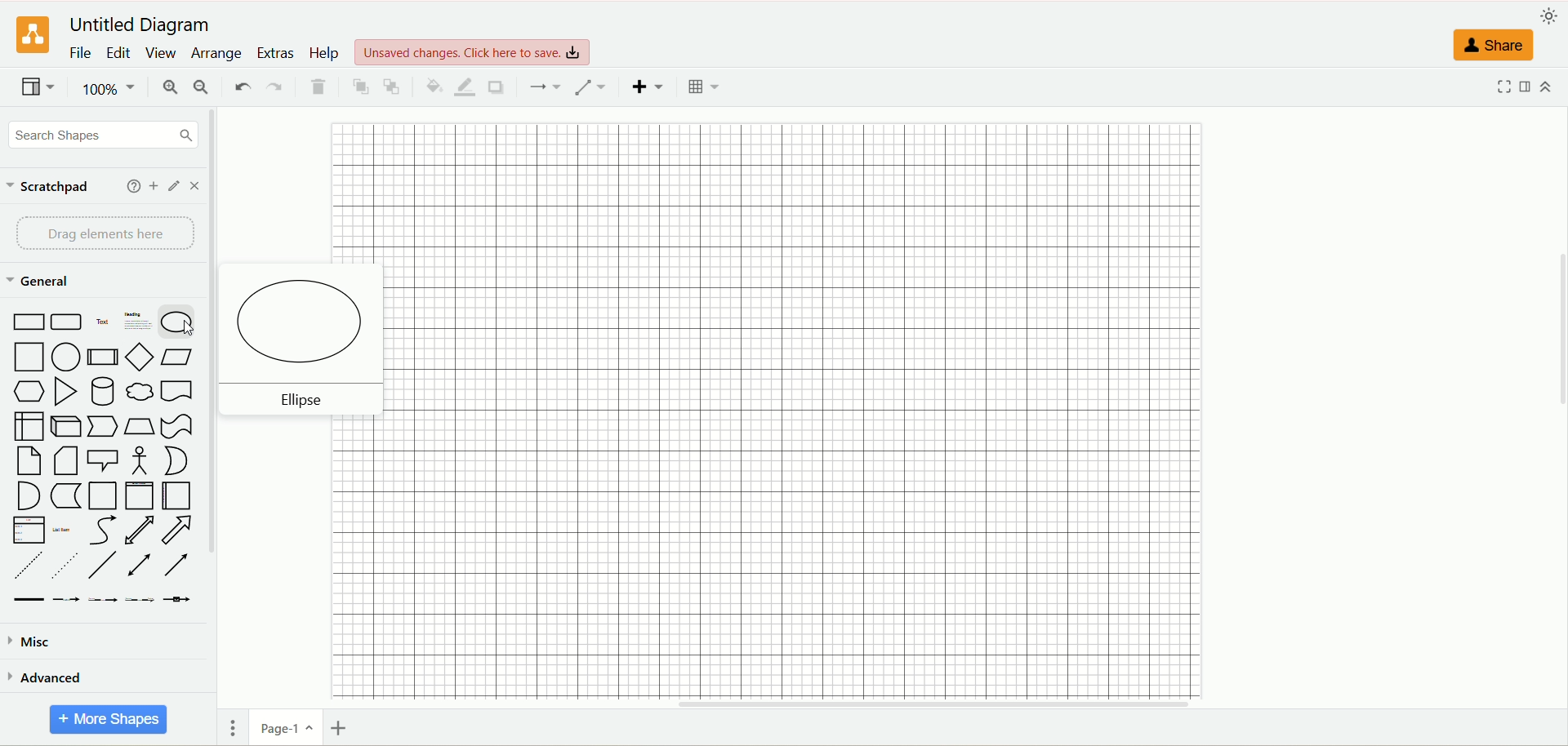 The width and height of the screenshot is (1568, 746). Describe the element at coordinates (286, 726) in the screenshot. I see `page-1` at that location.